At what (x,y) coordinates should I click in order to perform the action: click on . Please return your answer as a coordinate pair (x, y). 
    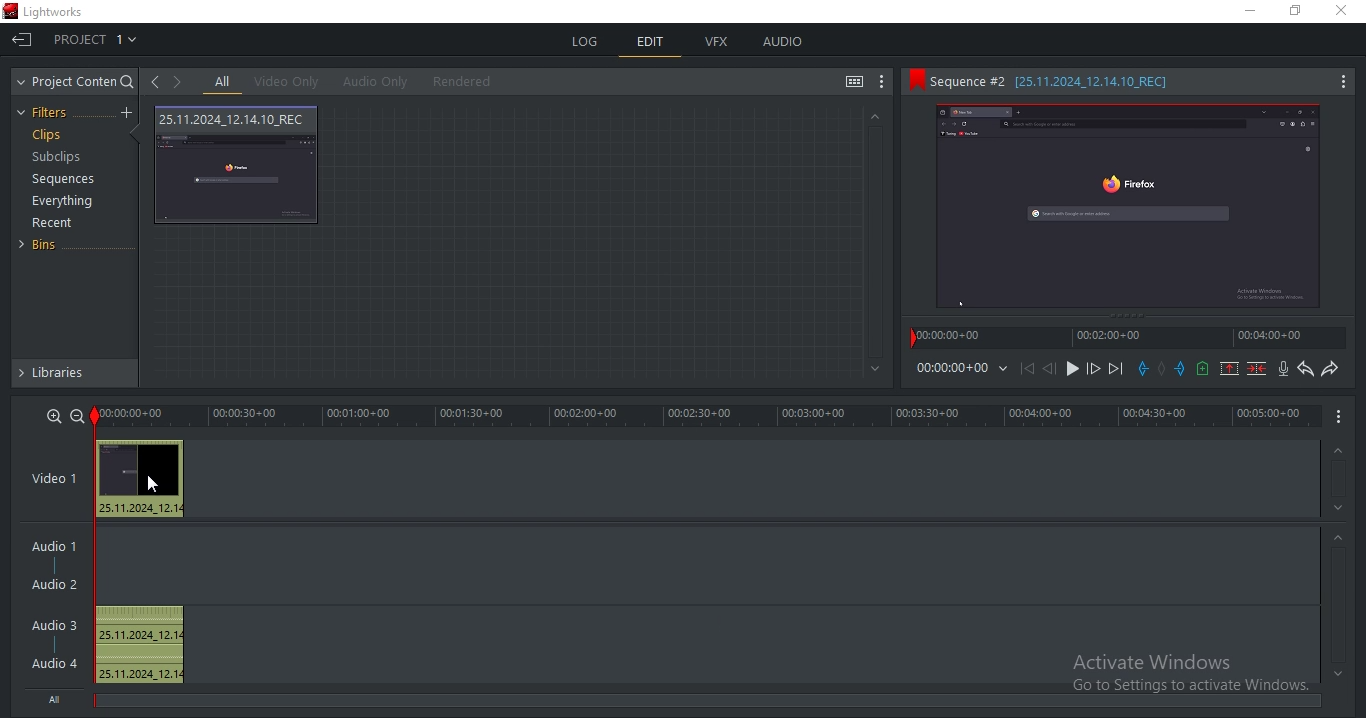
    Looking at the image, I should click on (178, 82).